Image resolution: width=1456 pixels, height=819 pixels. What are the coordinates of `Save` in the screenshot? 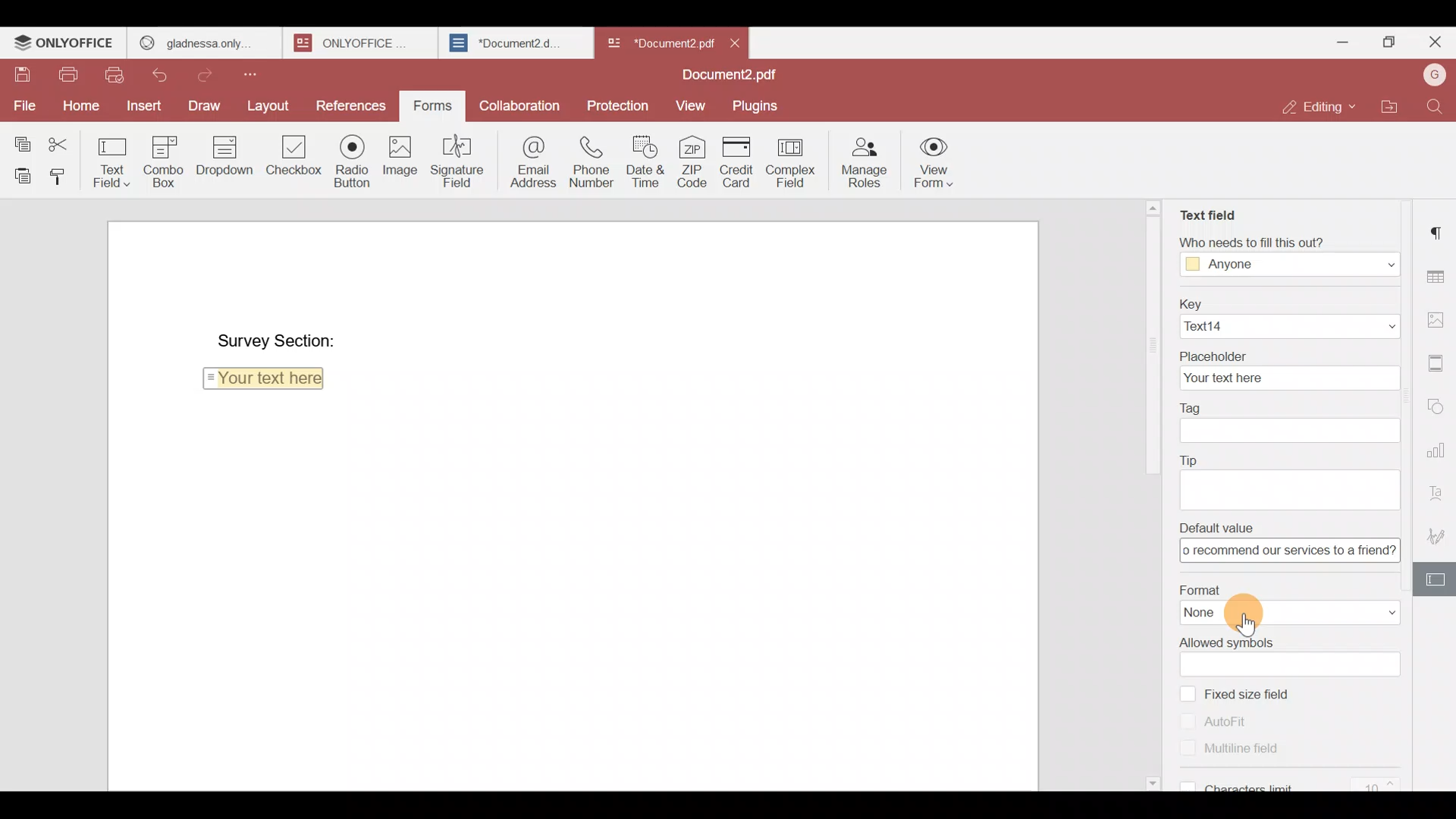 It's located at (15, 69).